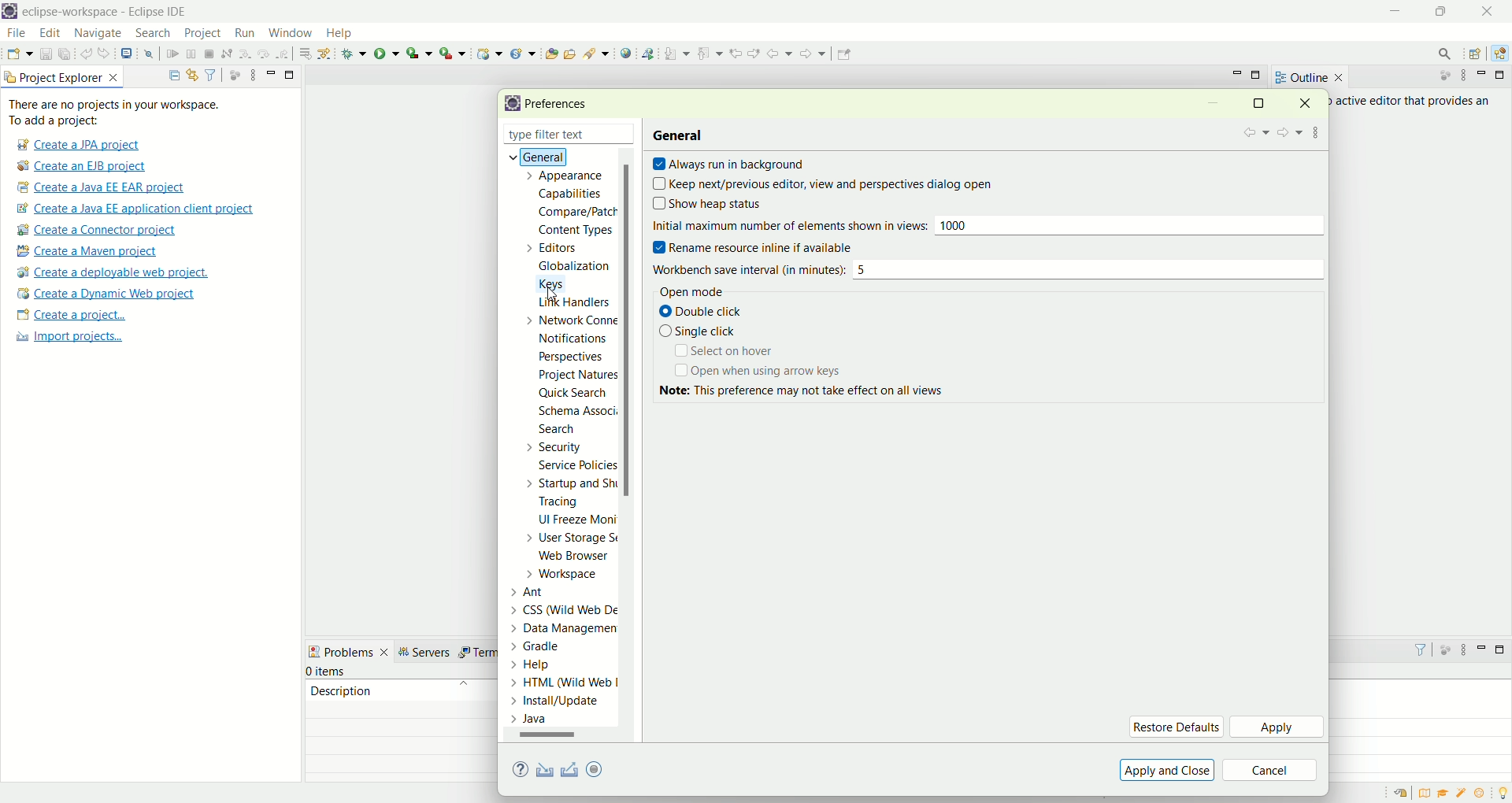 The height and width of the screenshot is (803, 1512). I want to click on maximize, so click(291, 73).